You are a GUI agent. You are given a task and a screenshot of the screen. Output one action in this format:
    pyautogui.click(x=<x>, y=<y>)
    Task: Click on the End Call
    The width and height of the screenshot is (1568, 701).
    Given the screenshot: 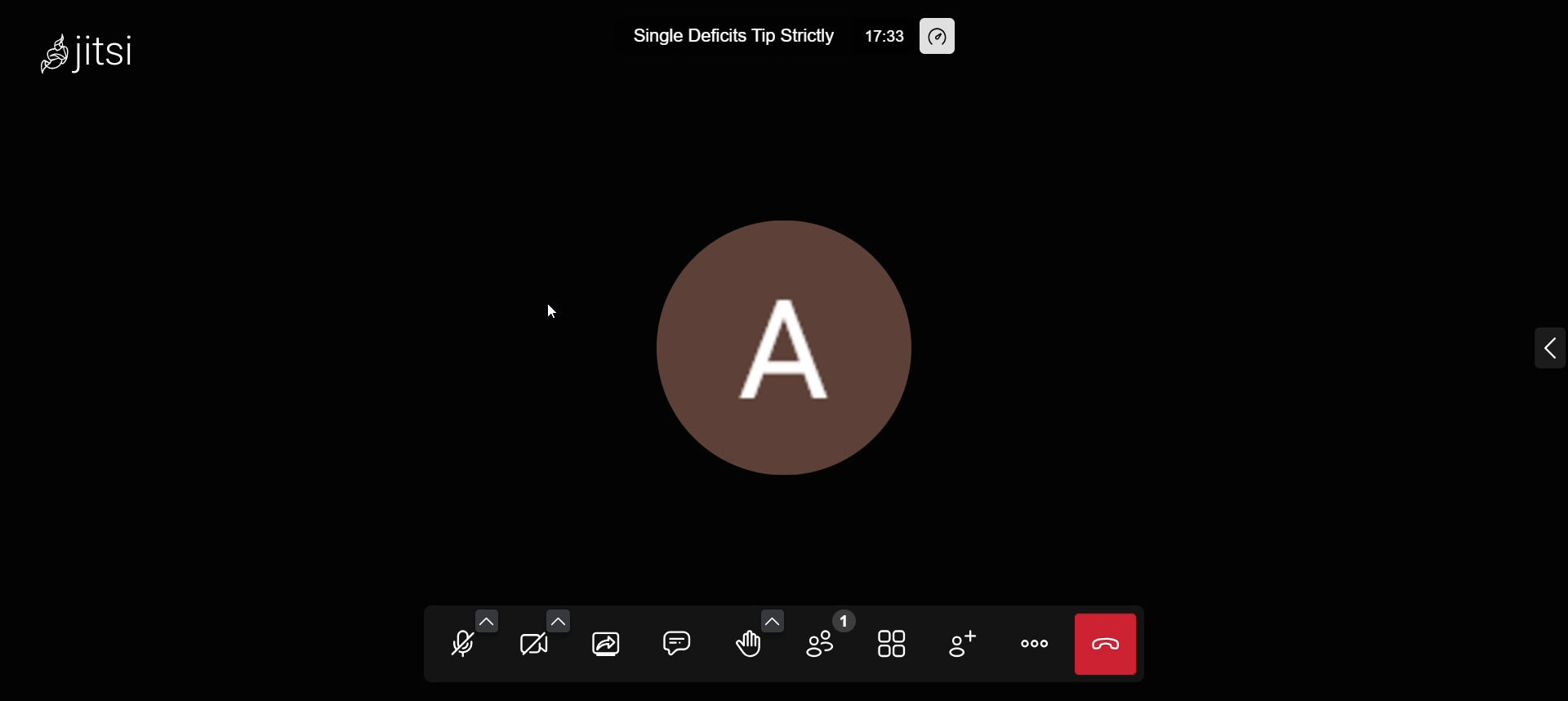 What is the action you would take?
    pyautogui.click(x=1109, y=645)
    